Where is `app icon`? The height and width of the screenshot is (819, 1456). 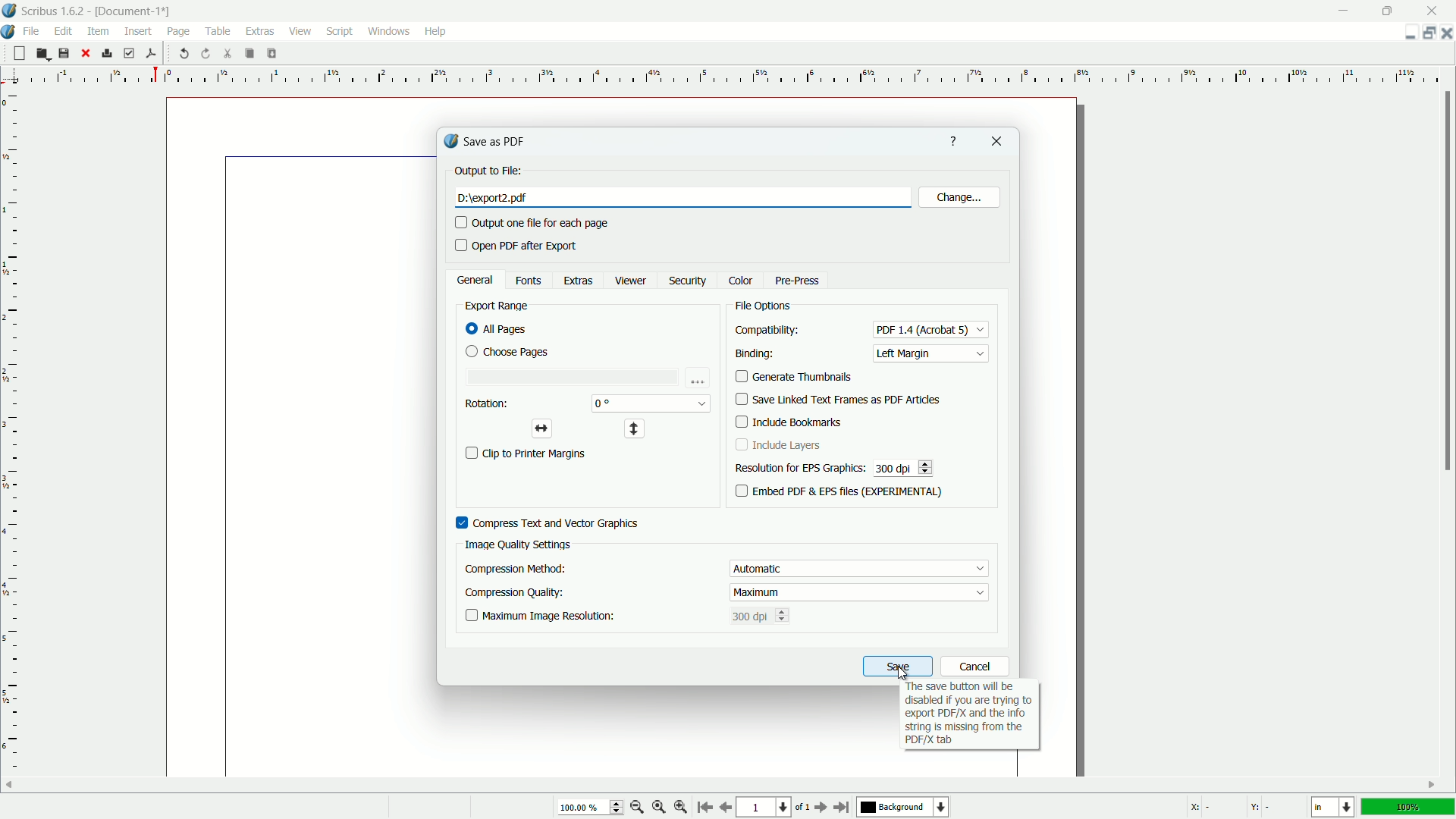 app icon is located at coordinates (9, 32).